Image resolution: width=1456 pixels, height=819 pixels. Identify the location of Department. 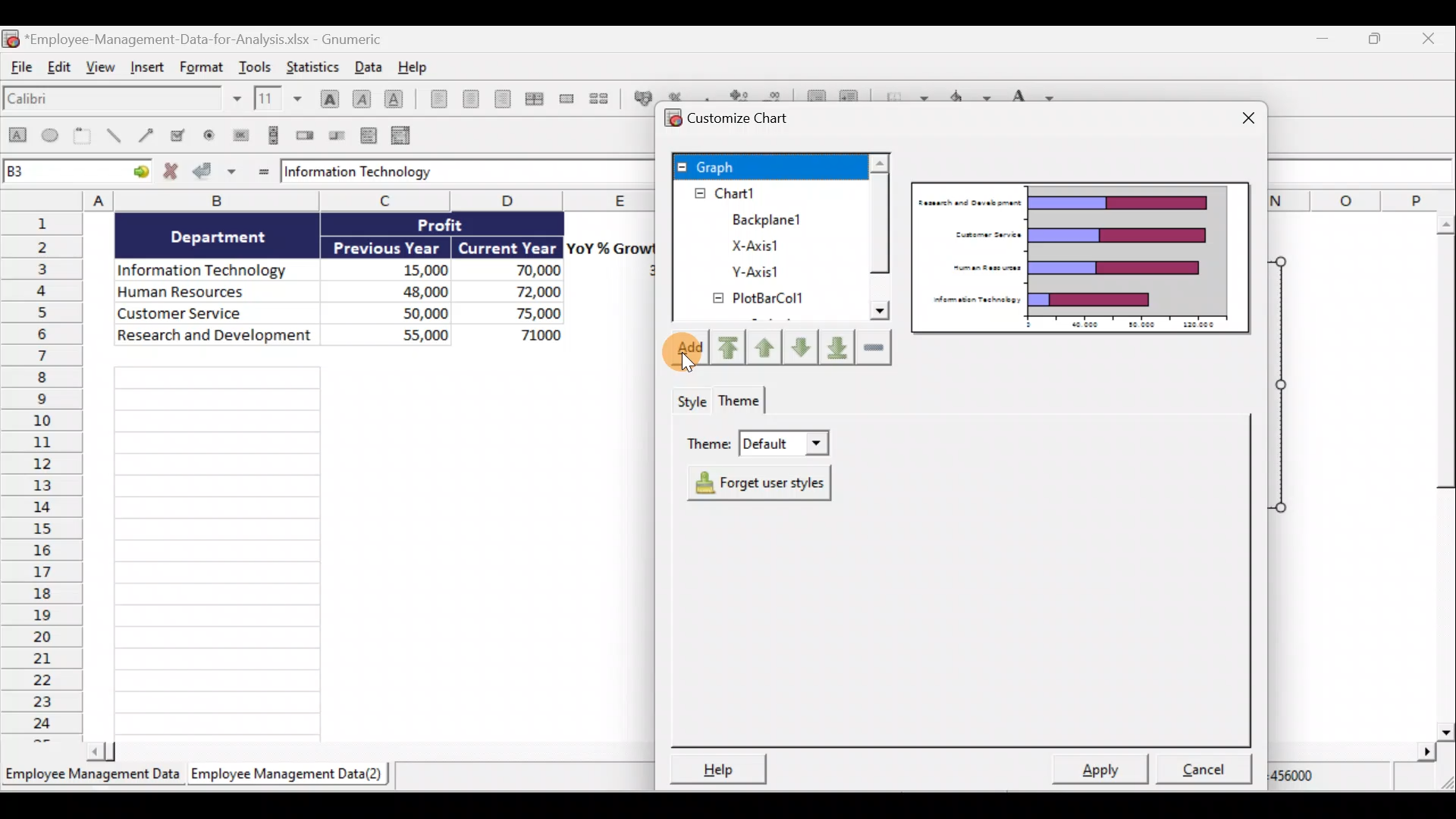
(228, 237).